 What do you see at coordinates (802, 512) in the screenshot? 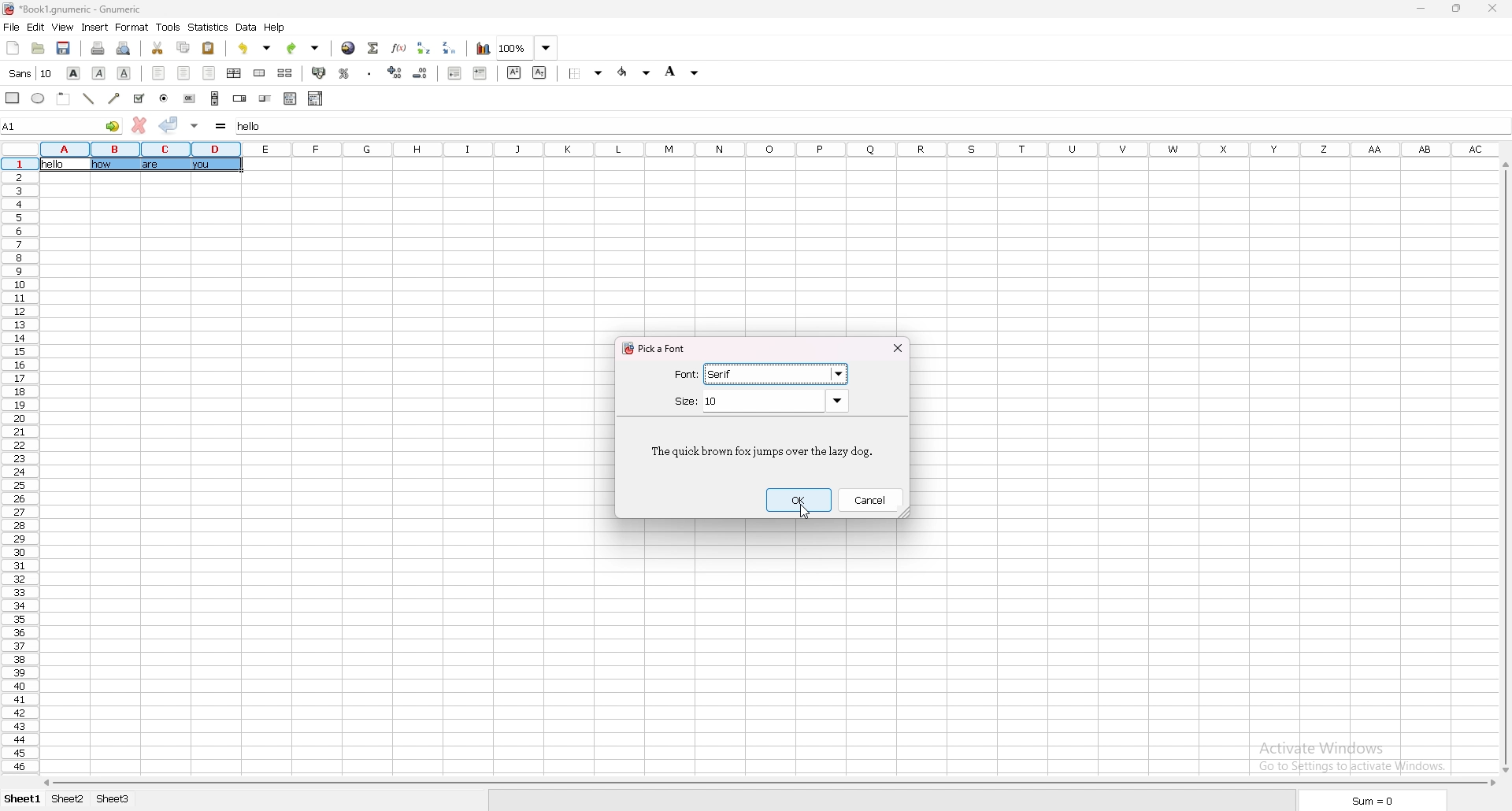
I see `cursor` at bounding box center [802, 512].